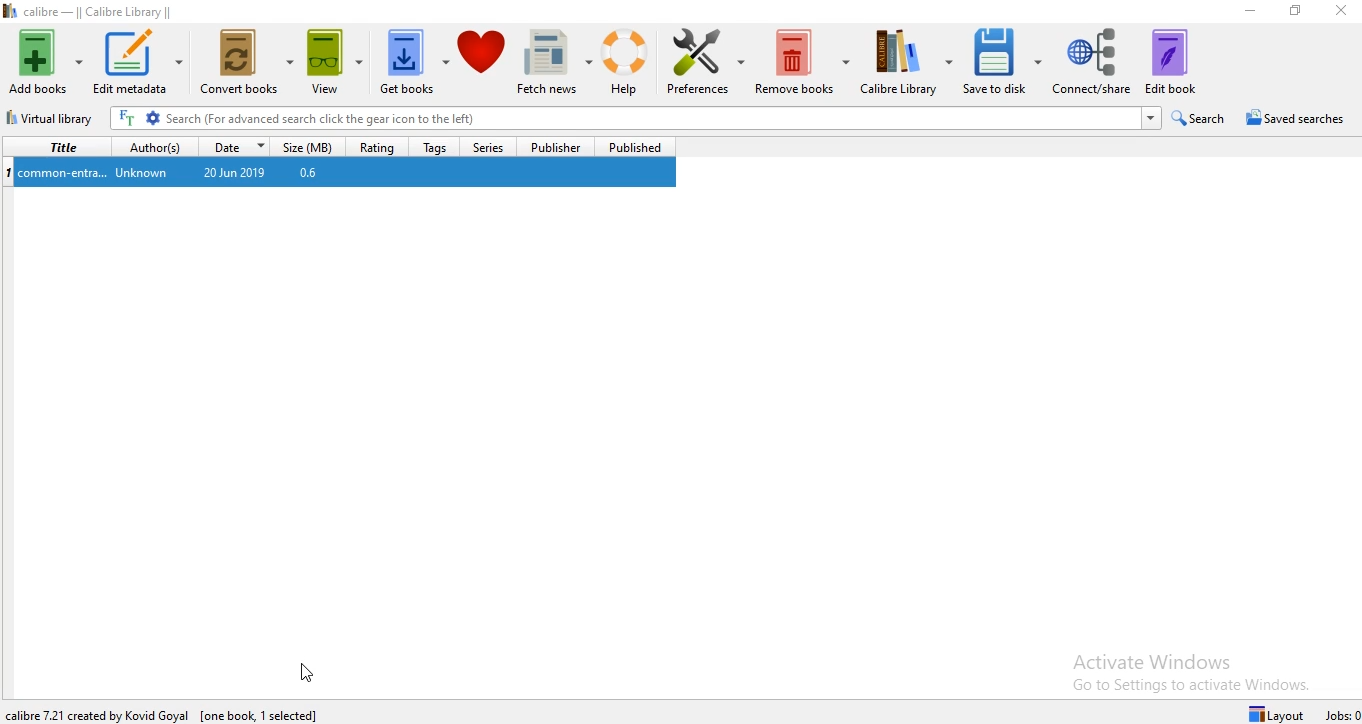 The image size is (1362, 724). Describe the element at coordinates (102, 11) in the screenshot. I see `calibre - || Calibre Library ||` at that location.